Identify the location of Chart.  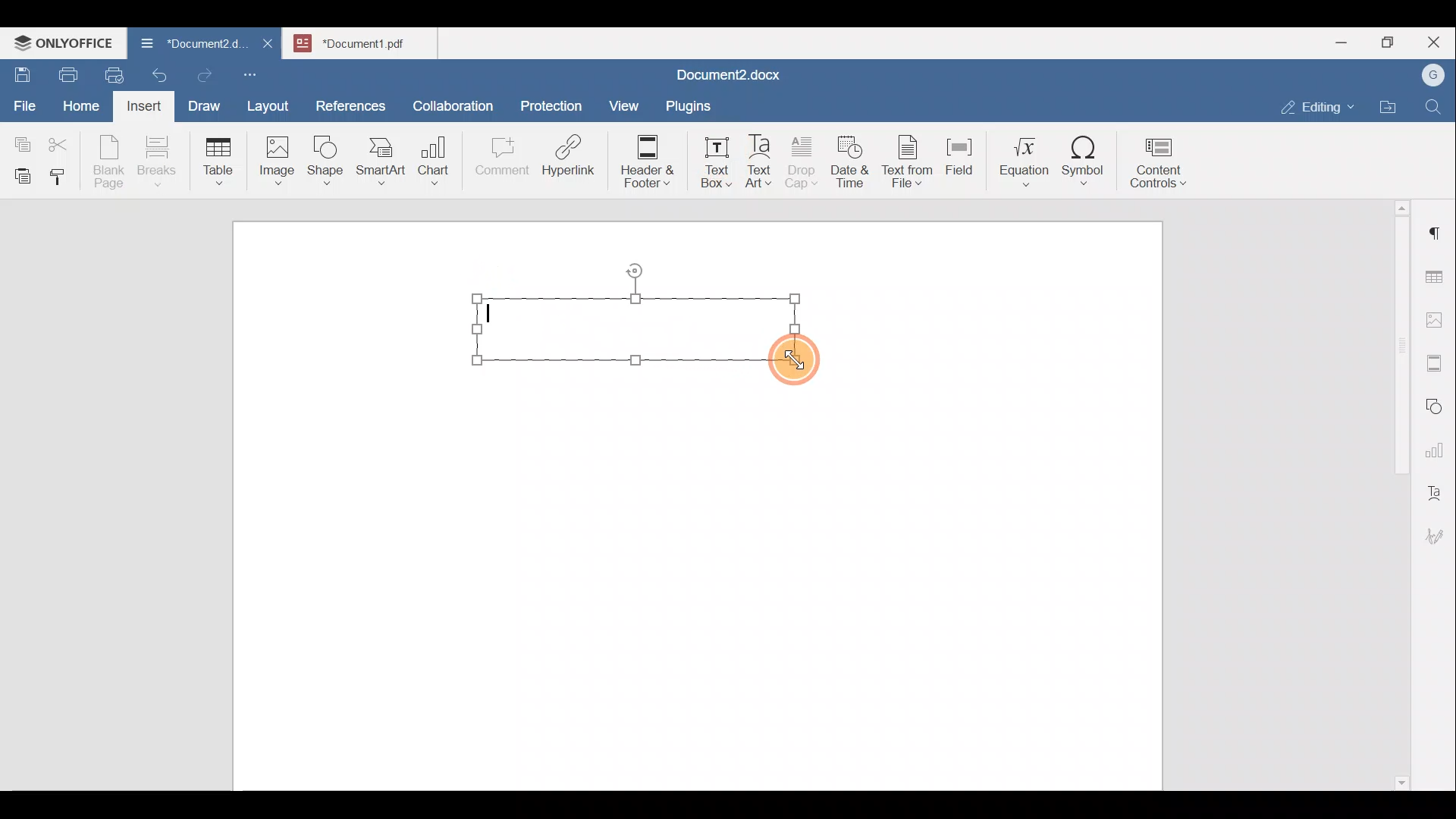
(431, 162).